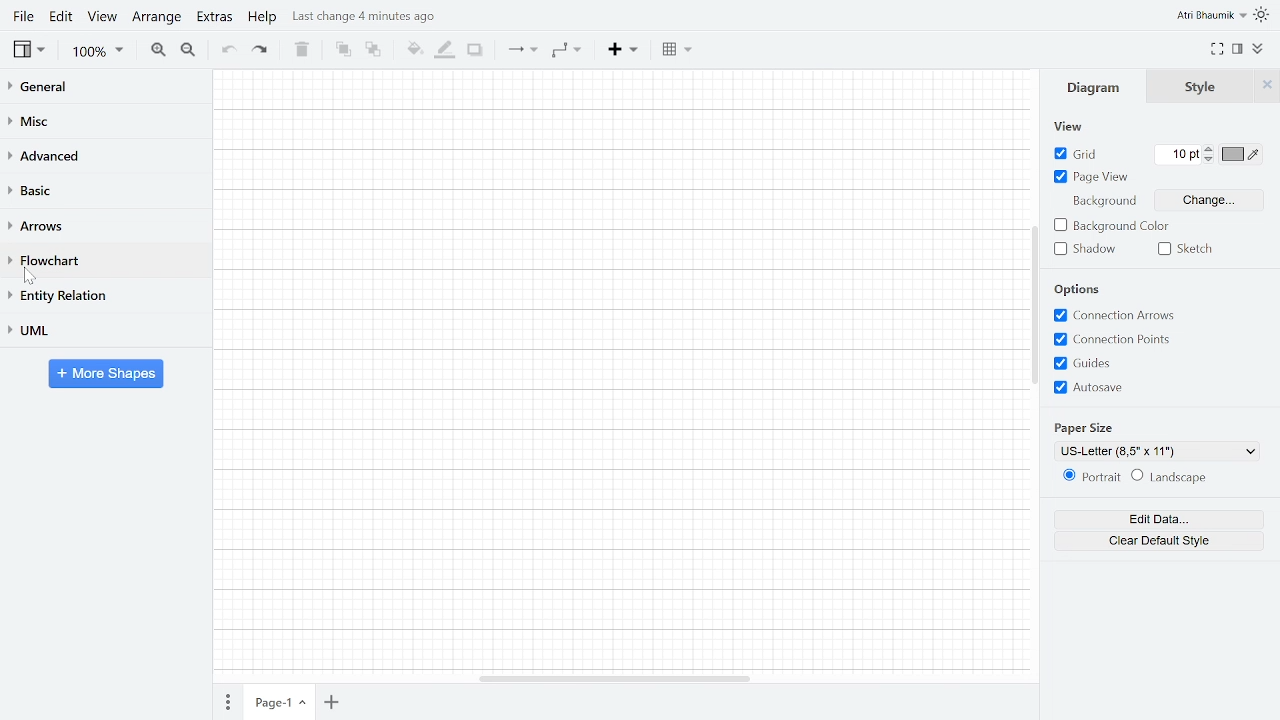 Image resolution: width=1280 pixels, height=720 pixels. What do you see at coordinates (1240, 50) in the screenshot?
I see `Format` at bounding box center [1240, 50].